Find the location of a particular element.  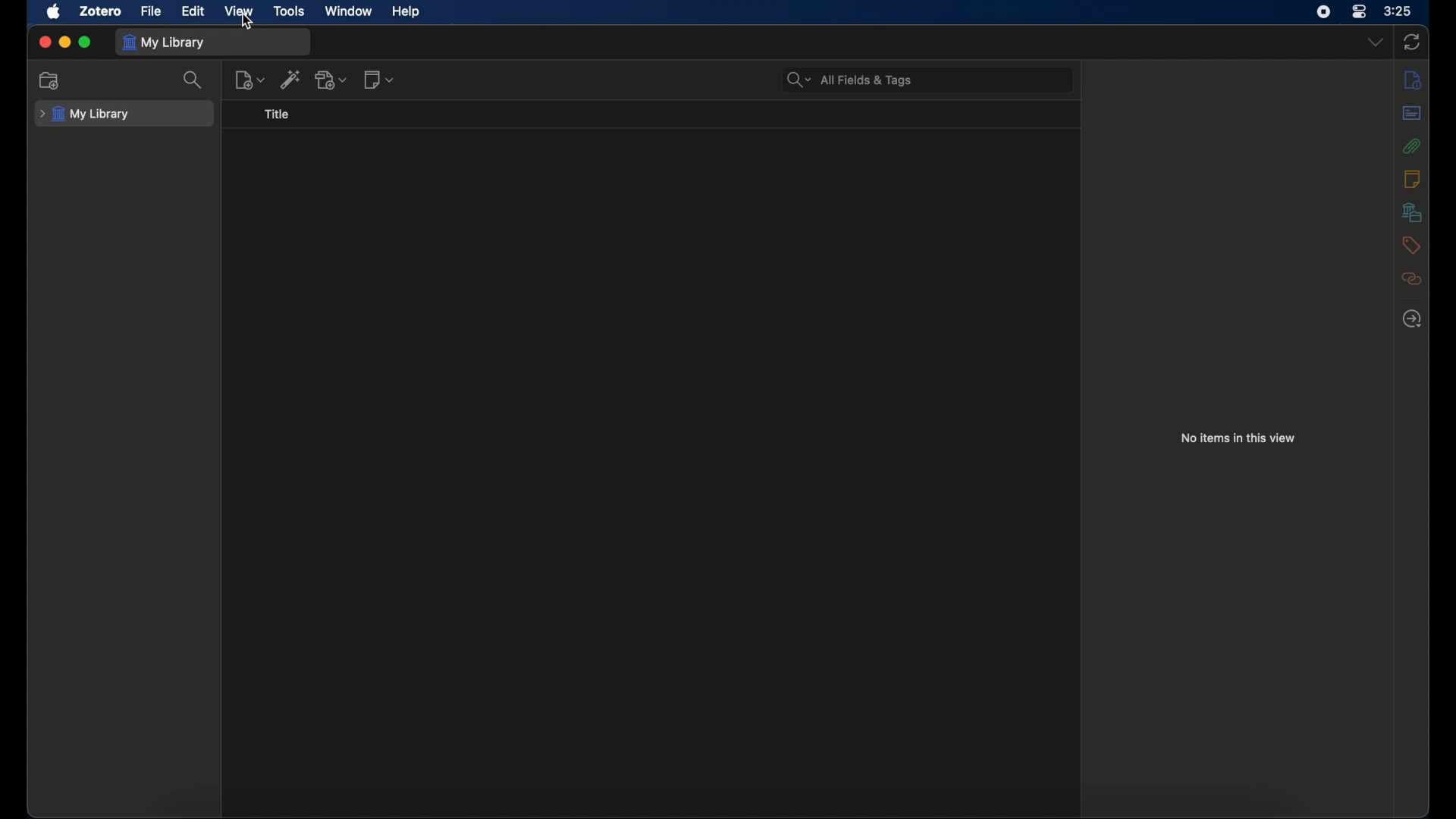

attachments is located at coordinates (1411, 146).